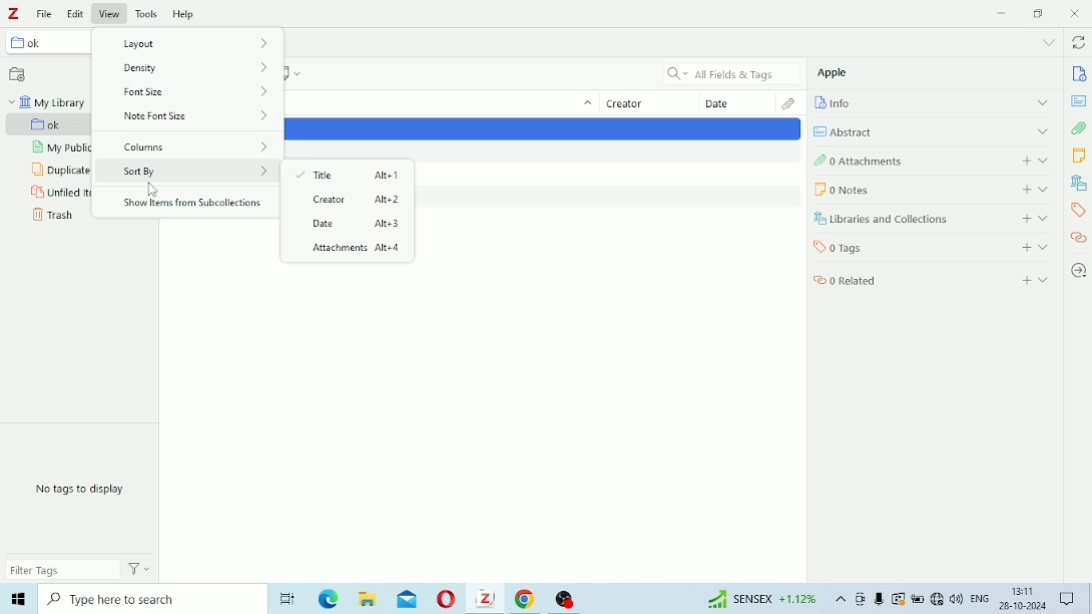  Describe the element at coordinates (59, 124) in the screenshot. I see `ok` at that location.